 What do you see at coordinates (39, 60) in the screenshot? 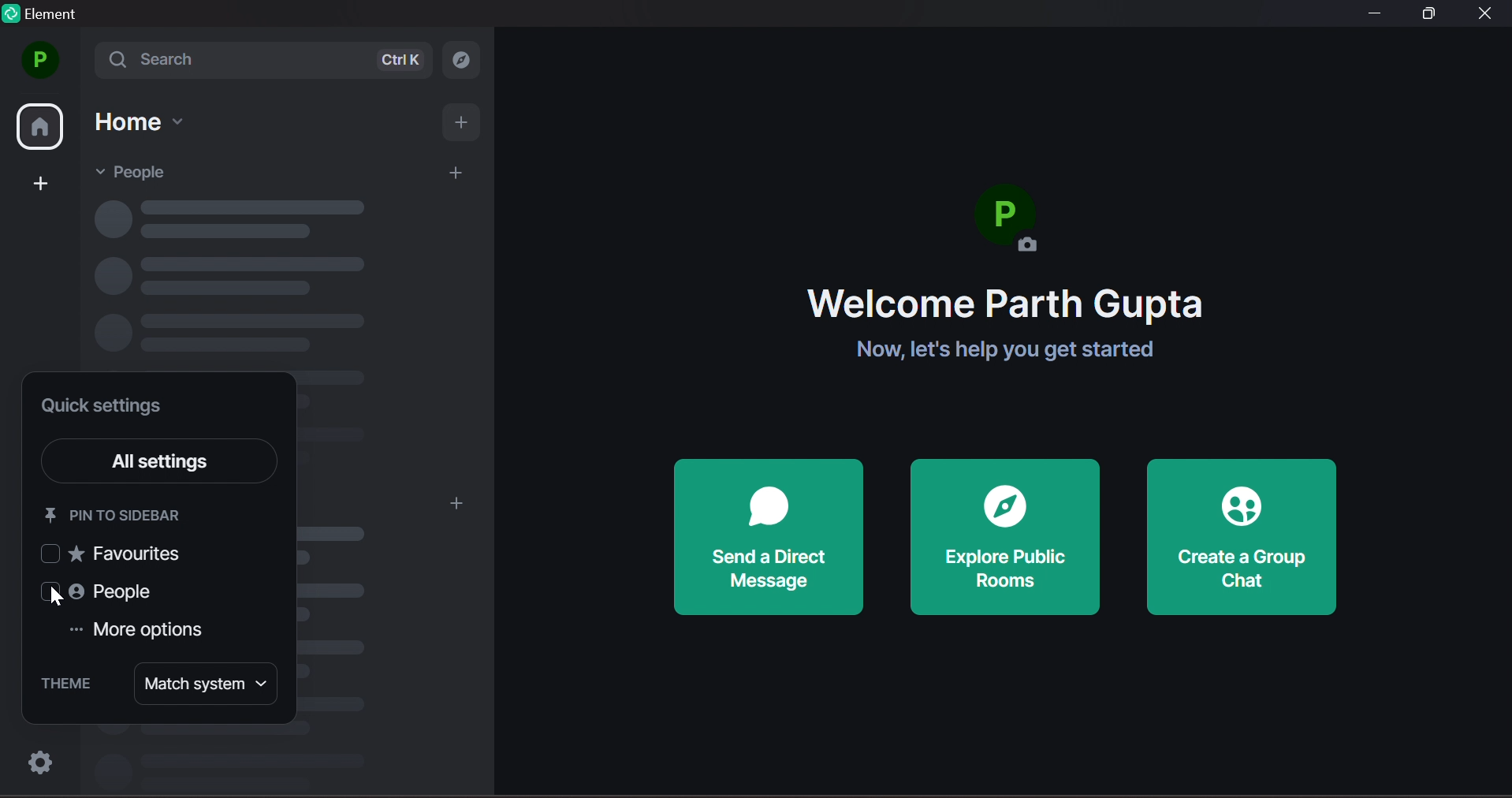
I see `profile` at bounding box center [39, 60].